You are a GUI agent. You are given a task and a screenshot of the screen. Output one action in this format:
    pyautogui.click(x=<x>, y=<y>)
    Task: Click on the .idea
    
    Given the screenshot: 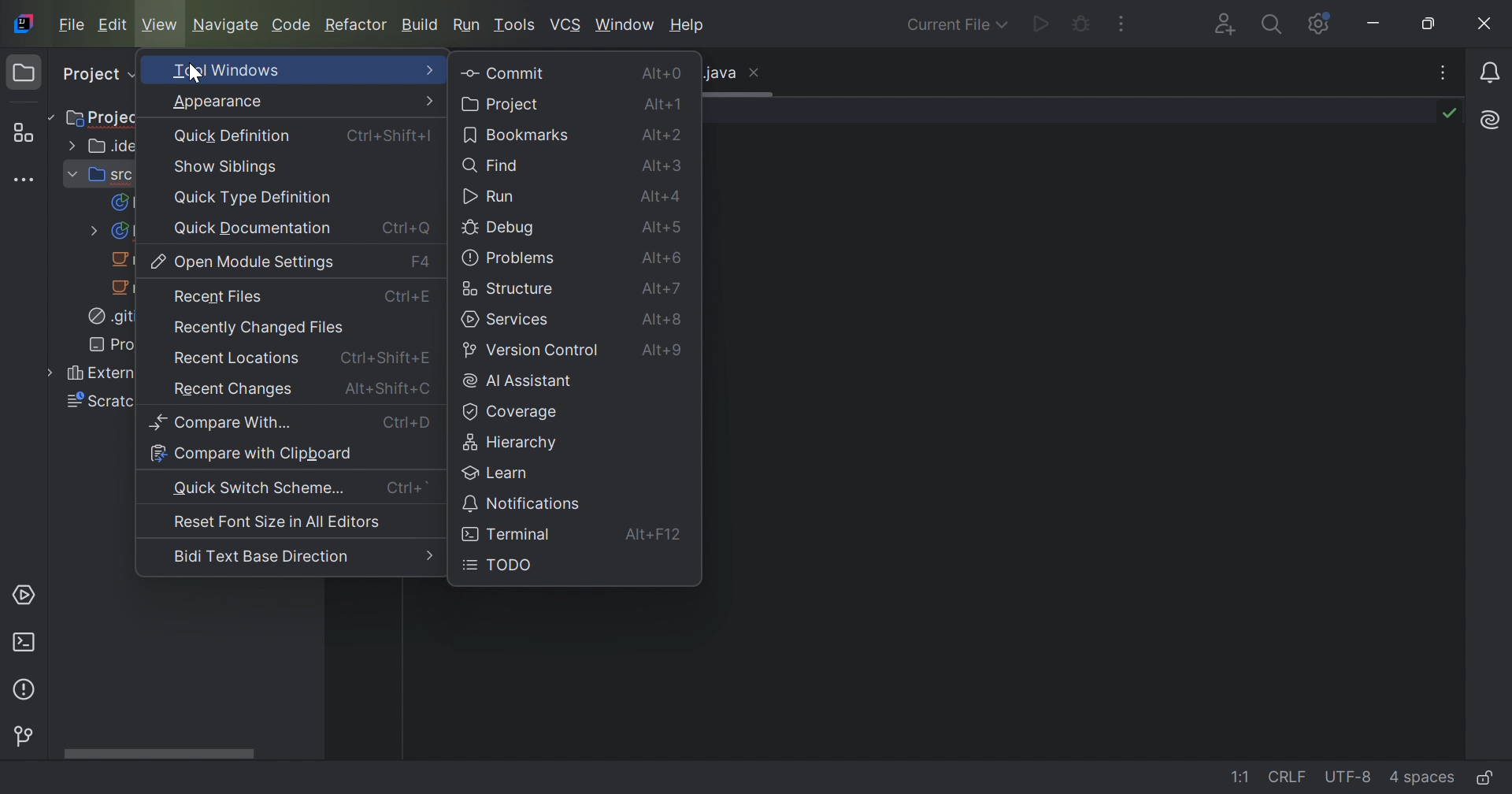 What is the action you would take?
    pyautogui.click(x=105, y=145)
    